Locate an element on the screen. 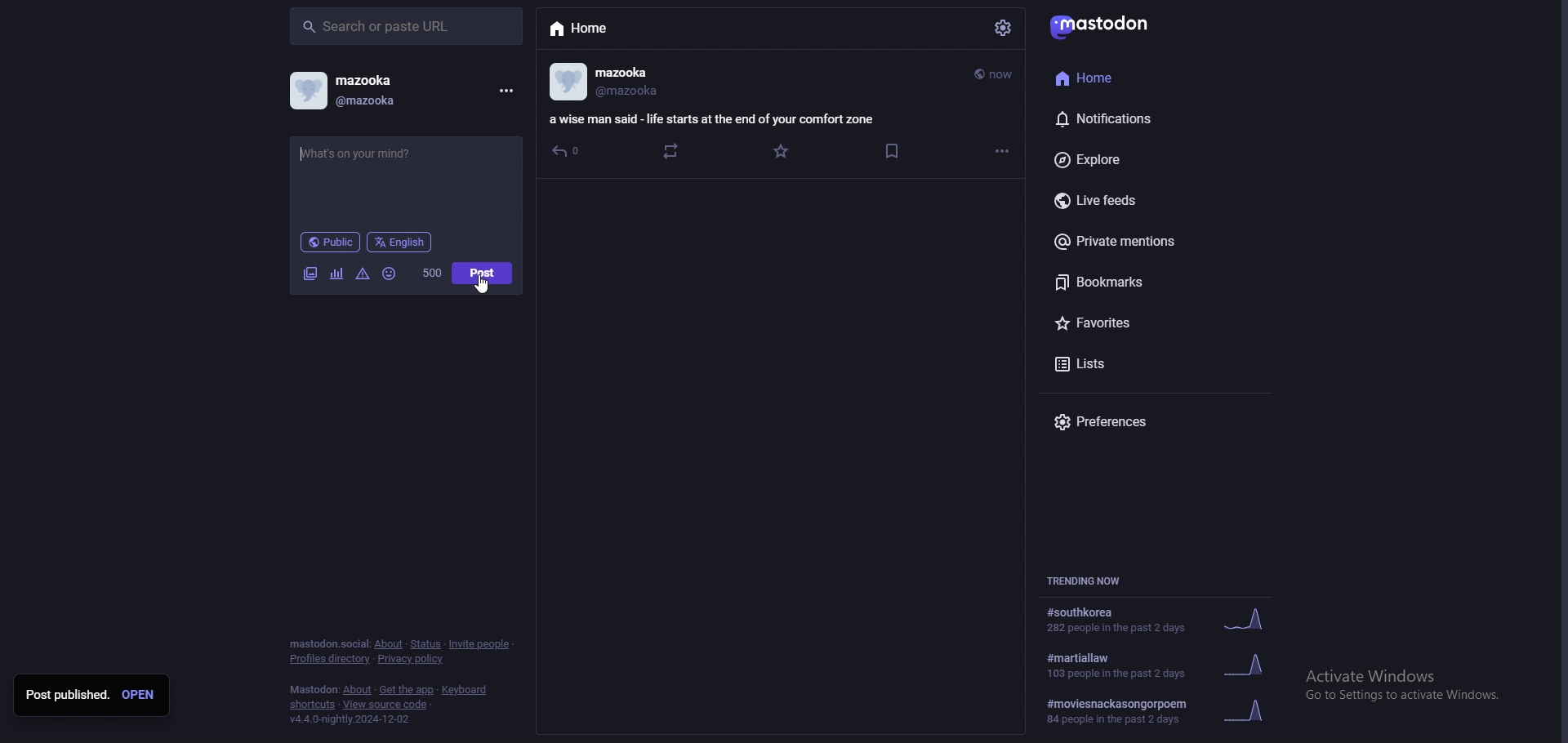  trending is located at coordinates (1158, 618).